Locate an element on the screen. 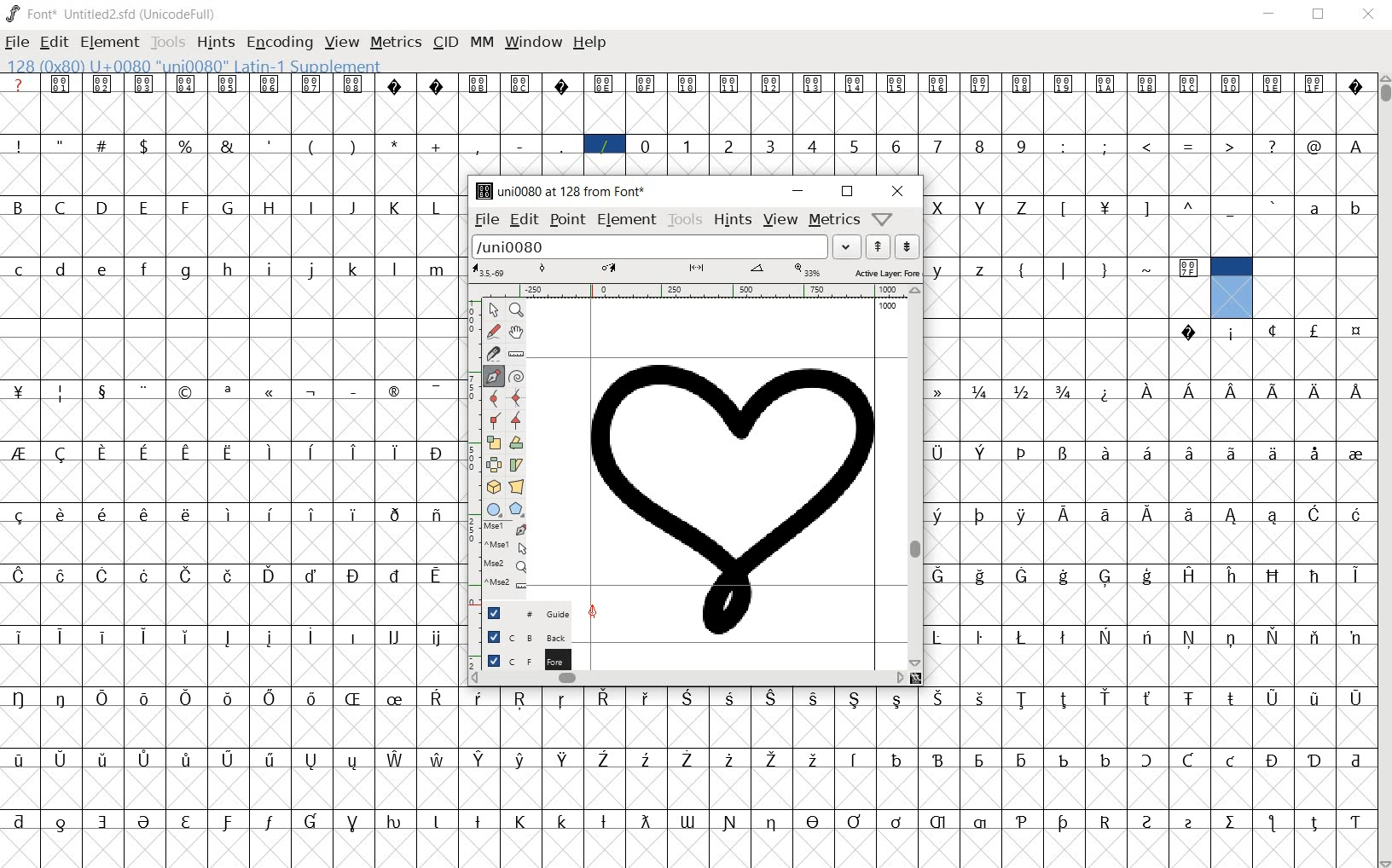 This screenshot has height=868, width=1392. glyph is located at coordinates (604, 146).